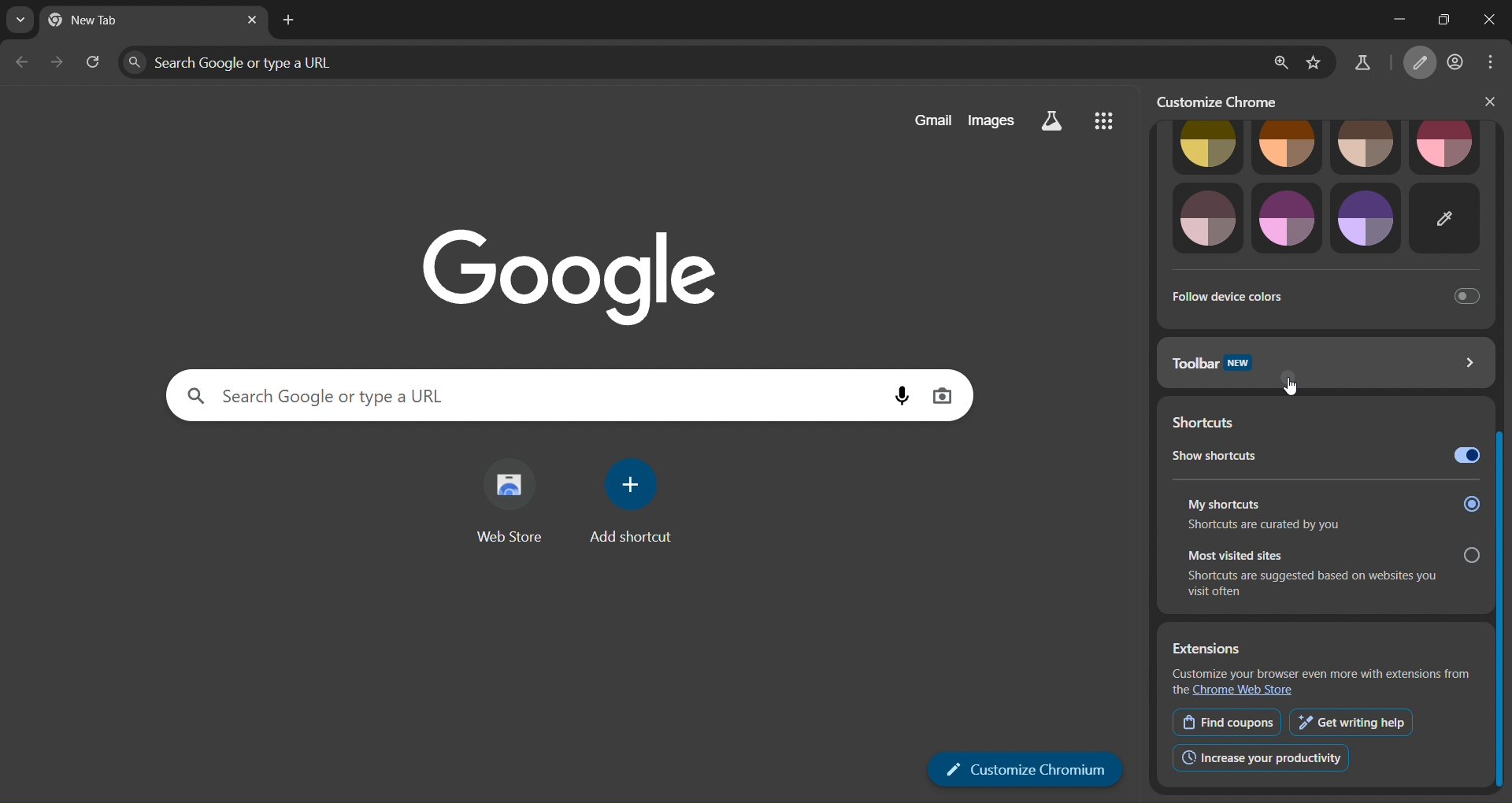 Image resolution: width=1512 pixels, height=803 pixels. I want to click on theme, so click(1447, 148).